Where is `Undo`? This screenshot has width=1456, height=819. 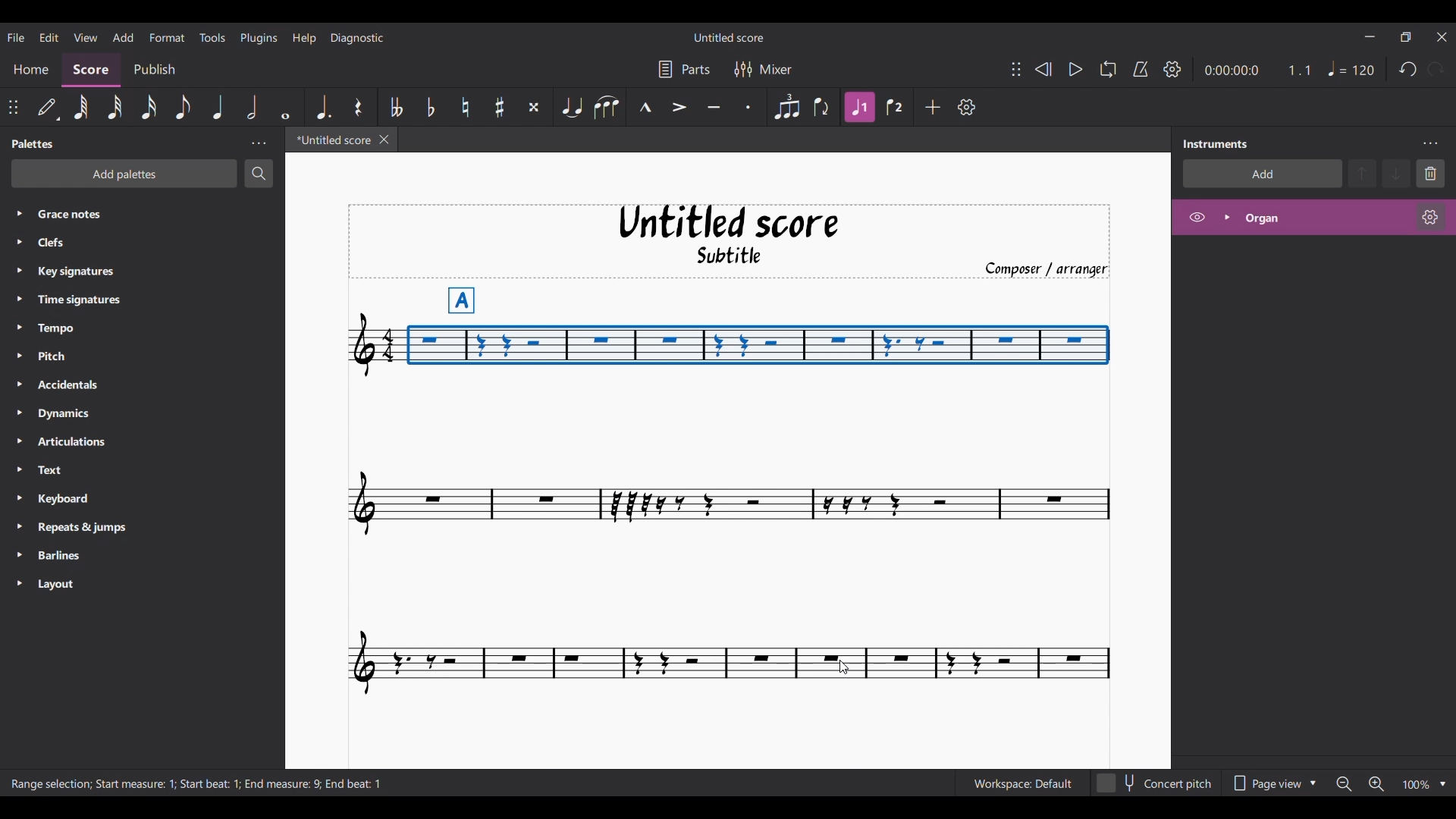
Undo is located at coordinates (1407, 69).